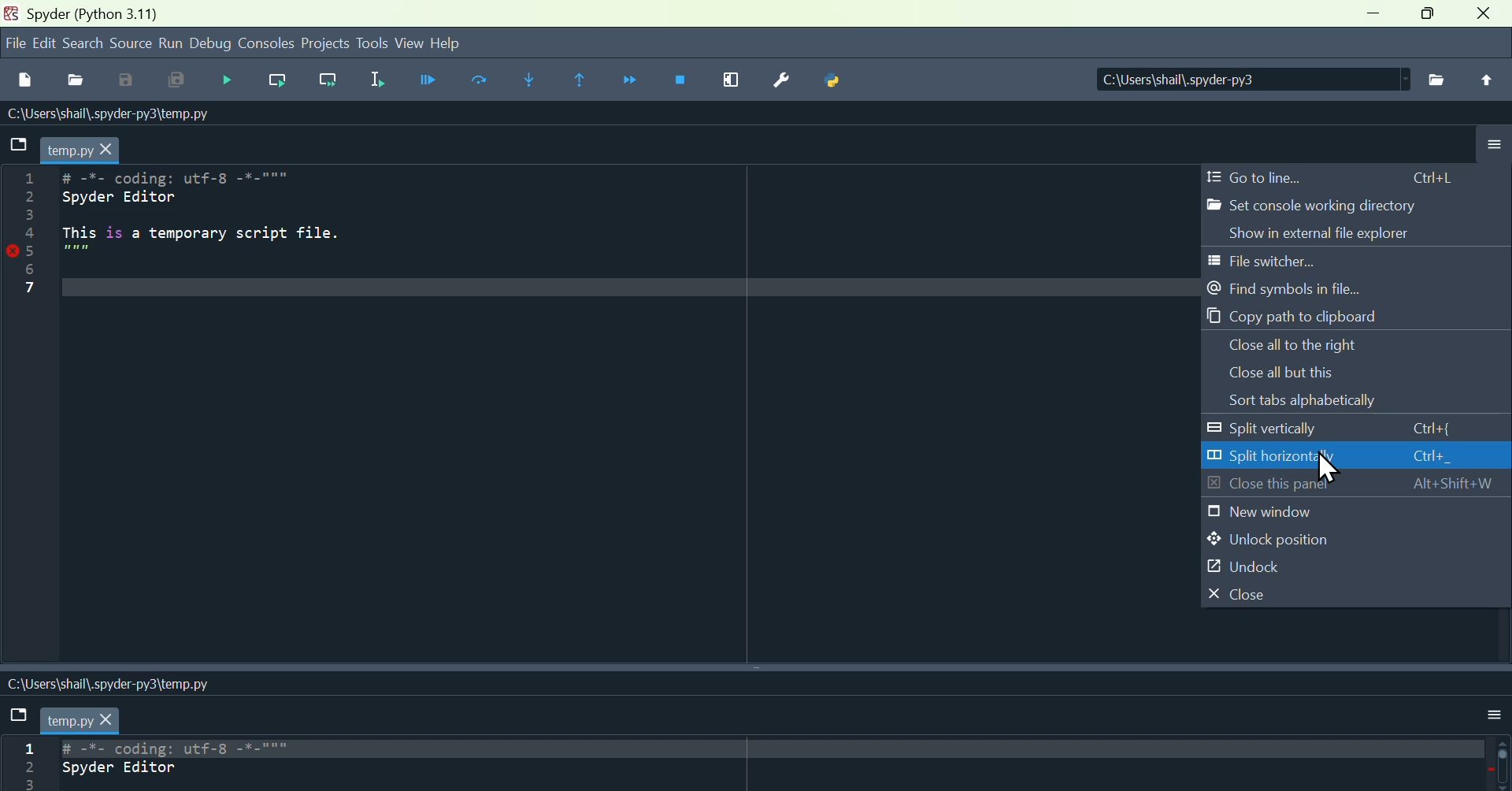  What do you see at coordinates (587, 81) in the screenshot?
I see `execute until same function return` at bounding box center [587, 81].